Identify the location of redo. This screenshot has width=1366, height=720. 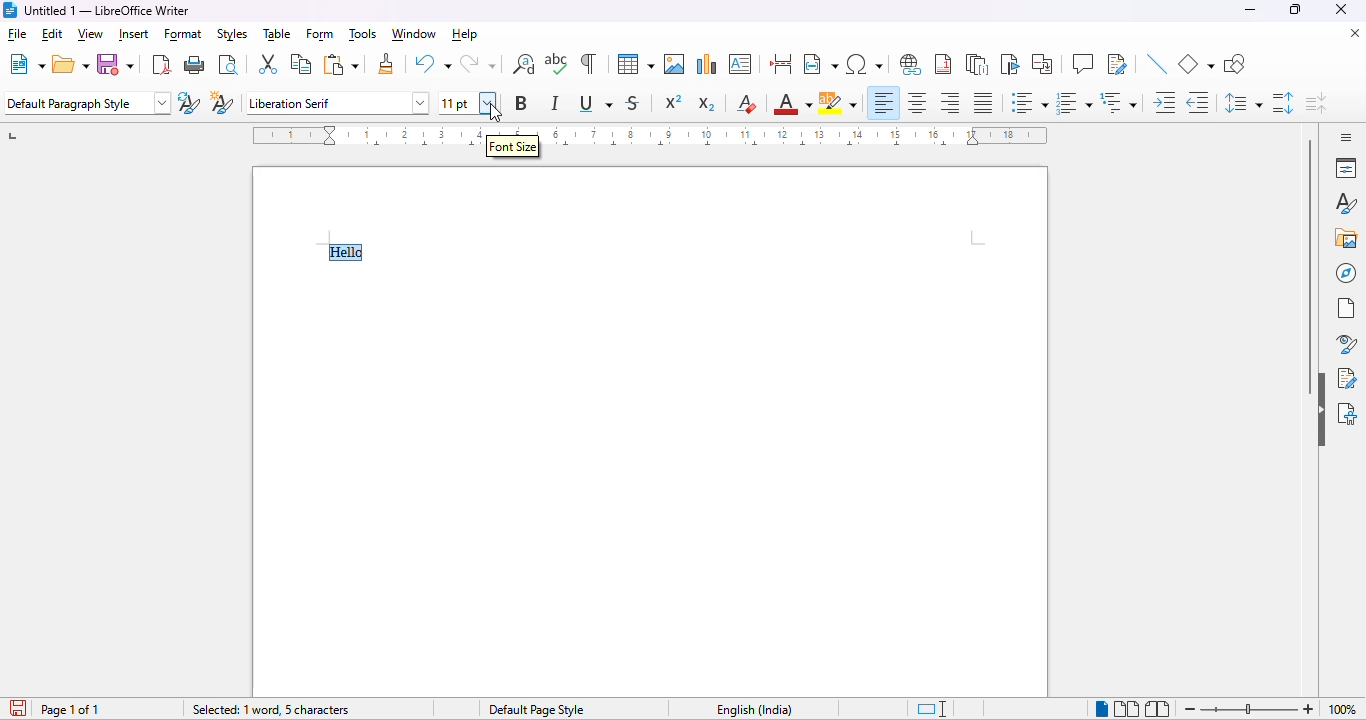
(480, 64).